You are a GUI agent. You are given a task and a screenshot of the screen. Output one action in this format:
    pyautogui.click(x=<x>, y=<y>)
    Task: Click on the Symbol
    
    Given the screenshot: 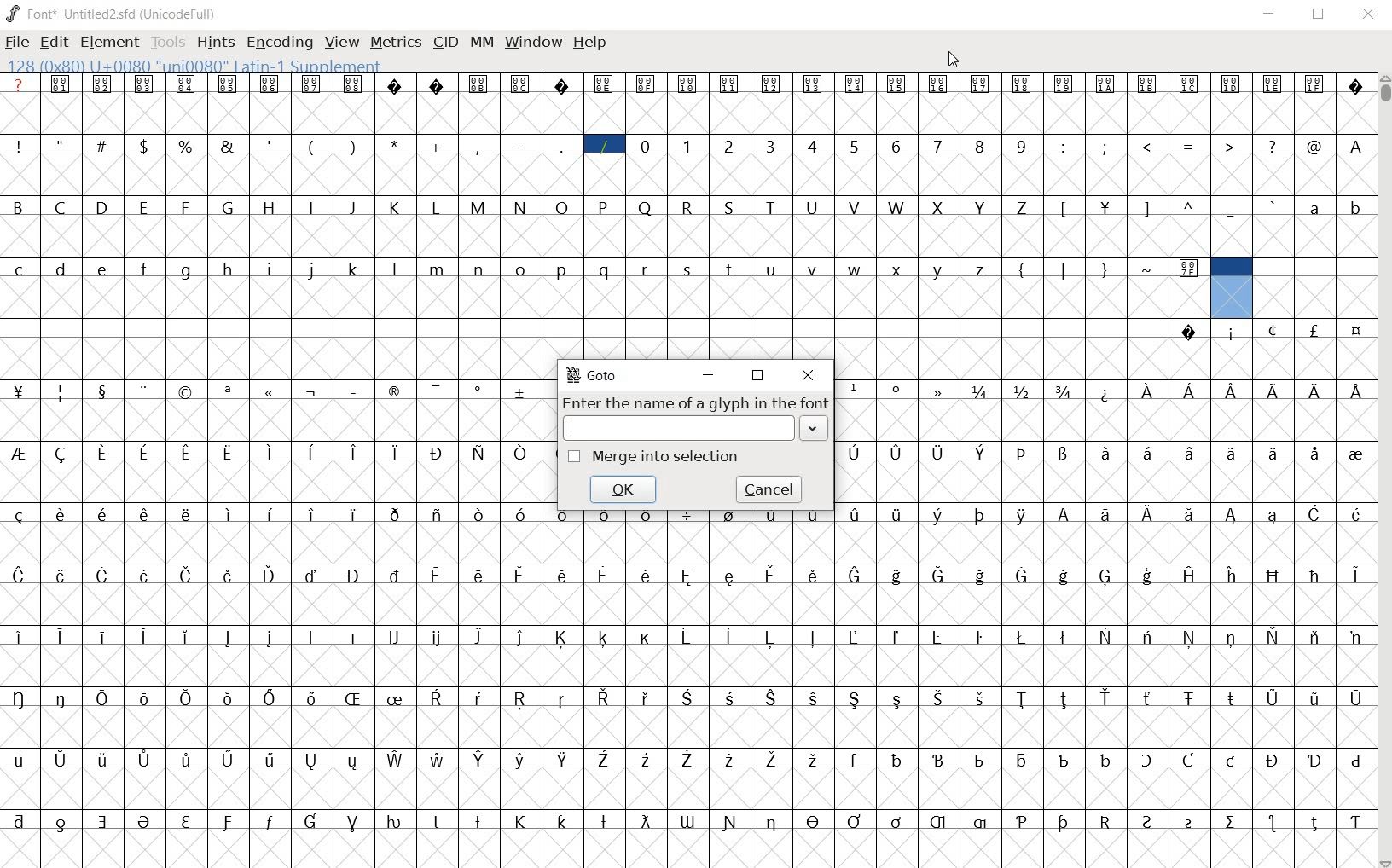 What is the action you would take?
    pyautogui.click(x=188, y=514)
    